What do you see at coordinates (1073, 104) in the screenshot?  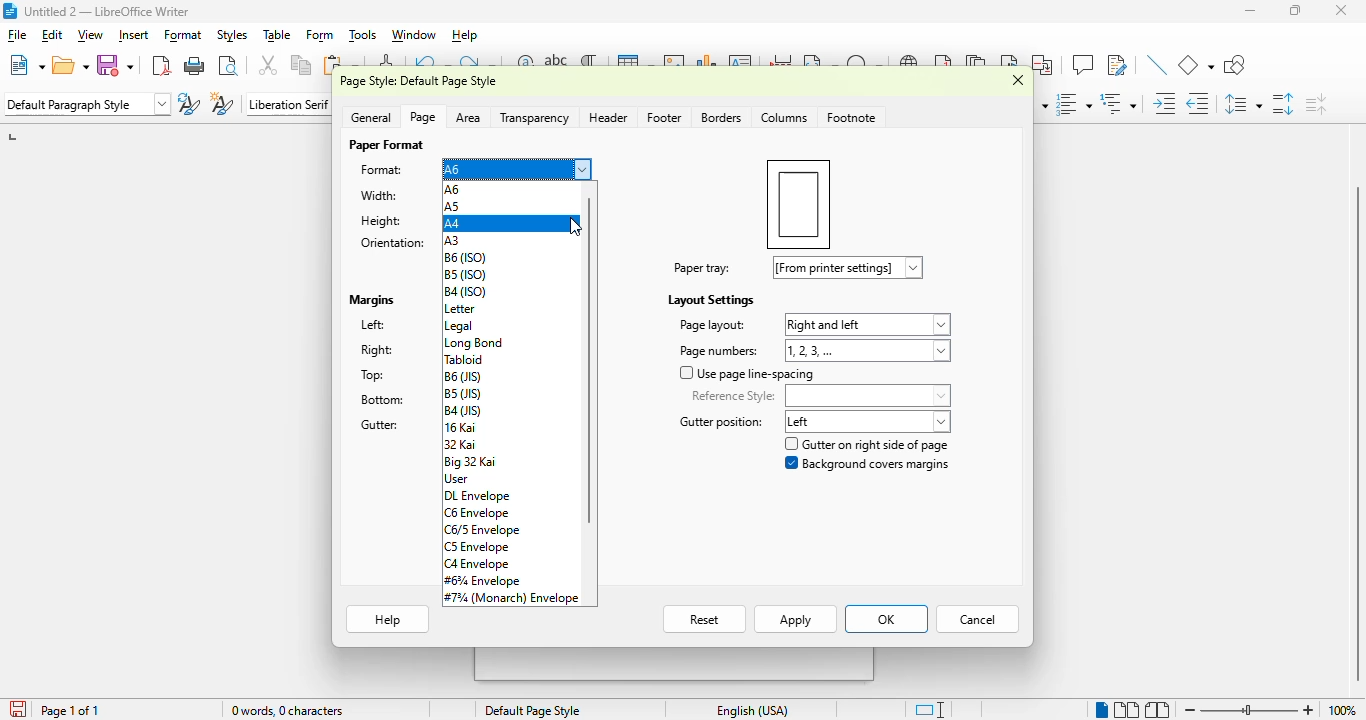 I see `toggle ordered list` at bounding box center [1073, 104].